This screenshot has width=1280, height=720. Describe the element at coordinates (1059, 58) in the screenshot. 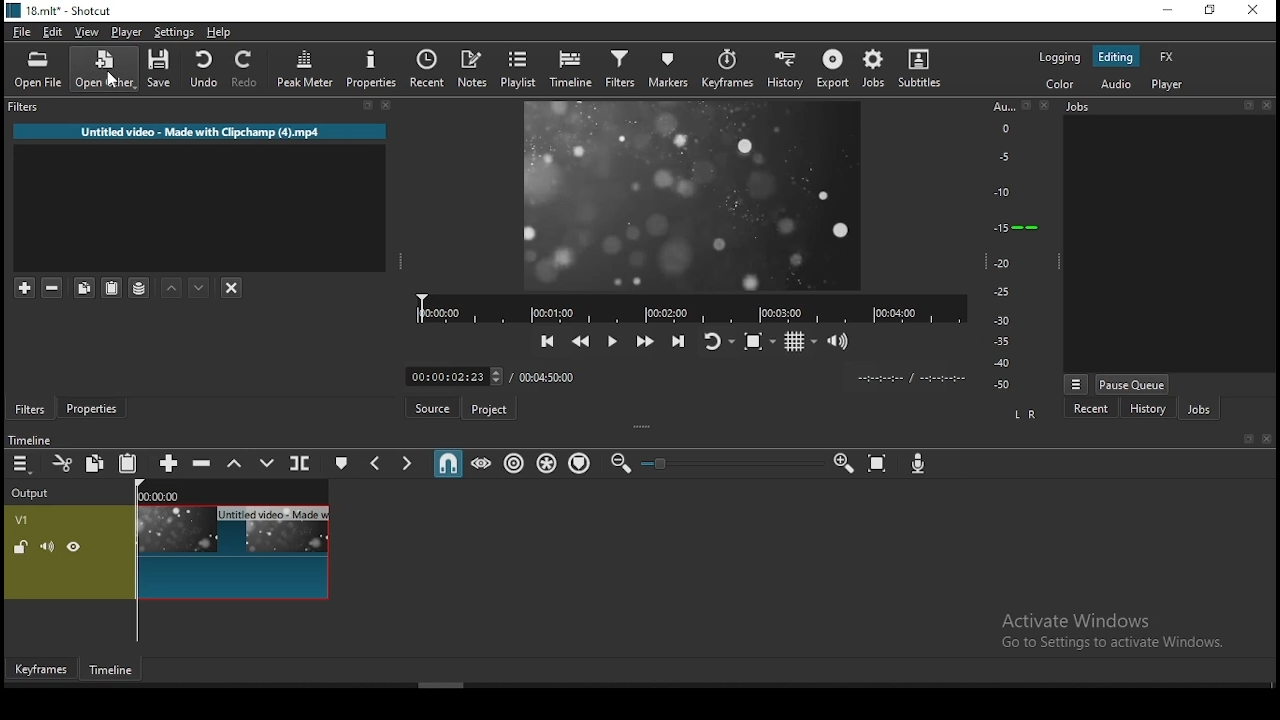

I see `logging` at that location.